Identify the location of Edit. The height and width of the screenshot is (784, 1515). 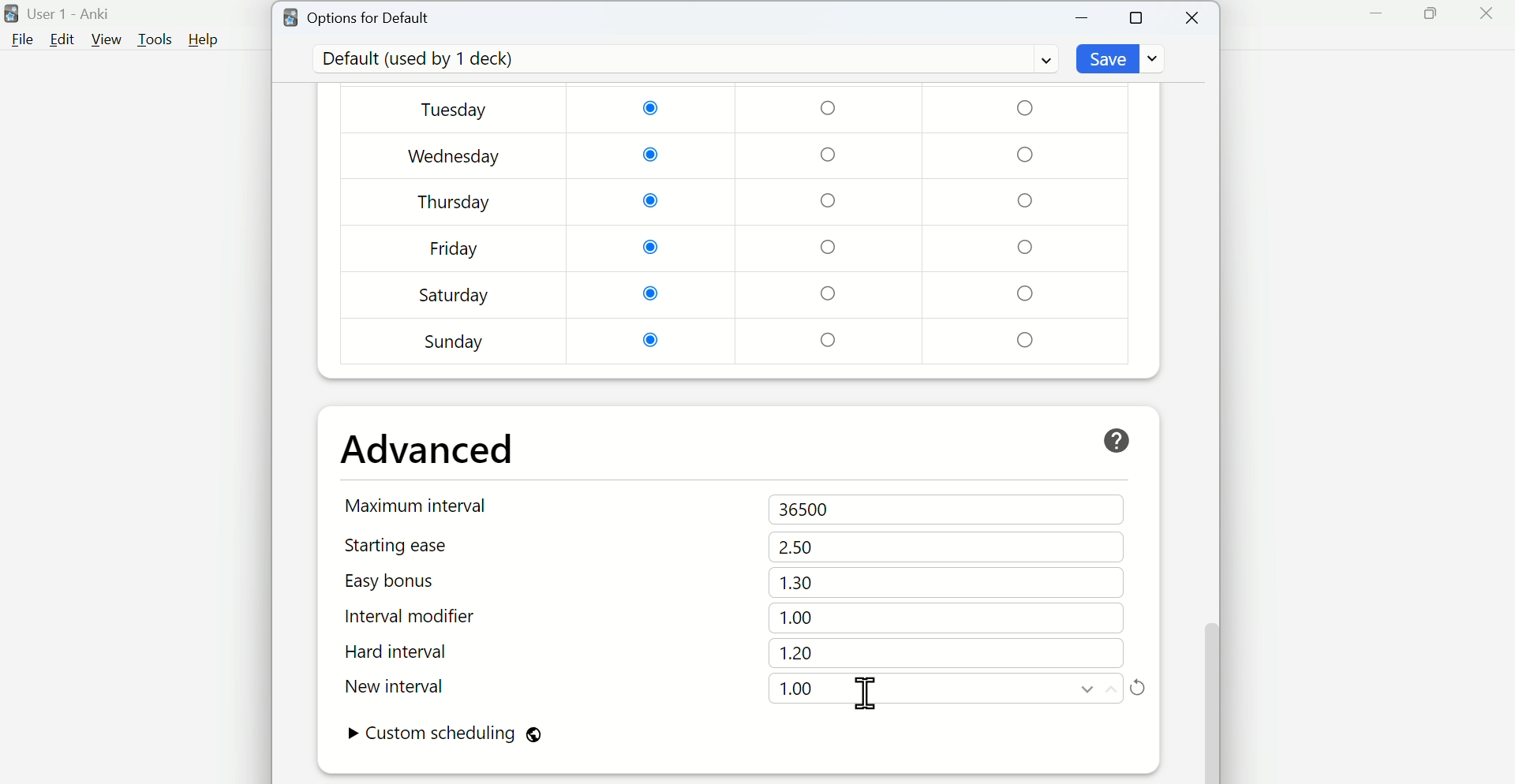
(62, 39).